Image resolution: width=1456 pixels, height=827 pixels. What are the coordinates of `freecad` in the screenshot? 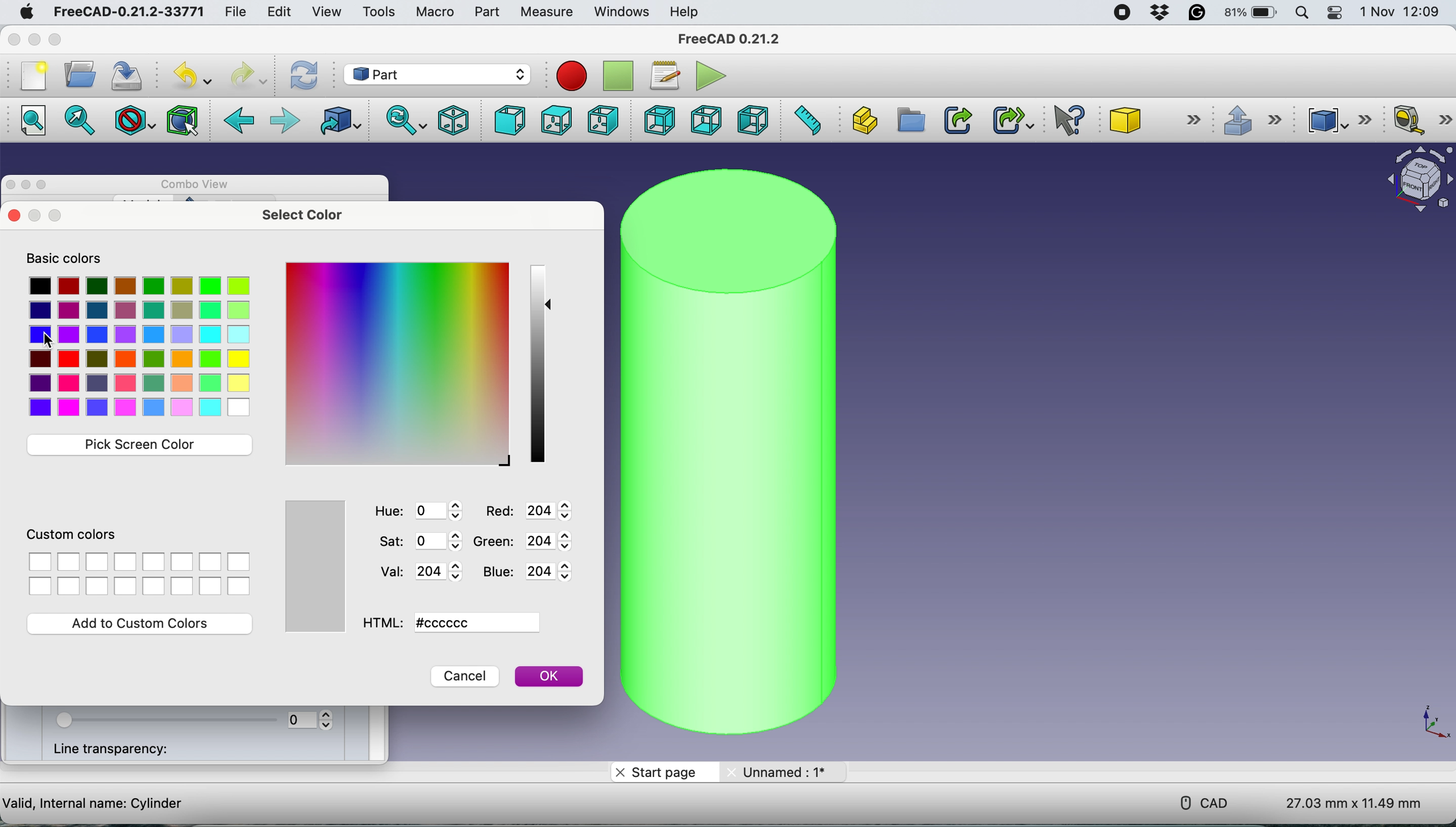 It's located at (126, 12).